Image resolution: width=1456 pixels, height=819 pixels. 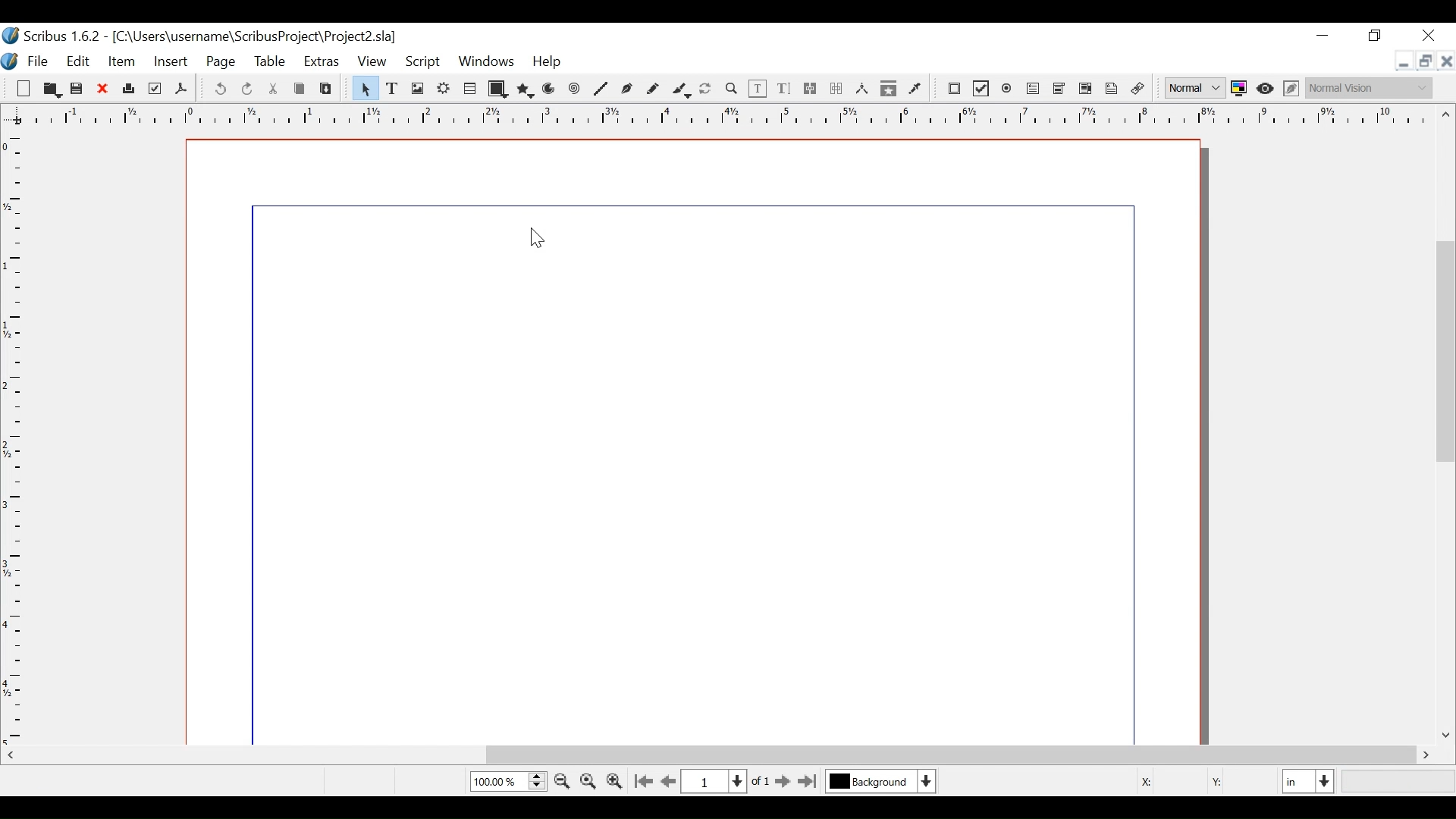 I want to click on PDF Radio Button, so click(x=1008, y=90).